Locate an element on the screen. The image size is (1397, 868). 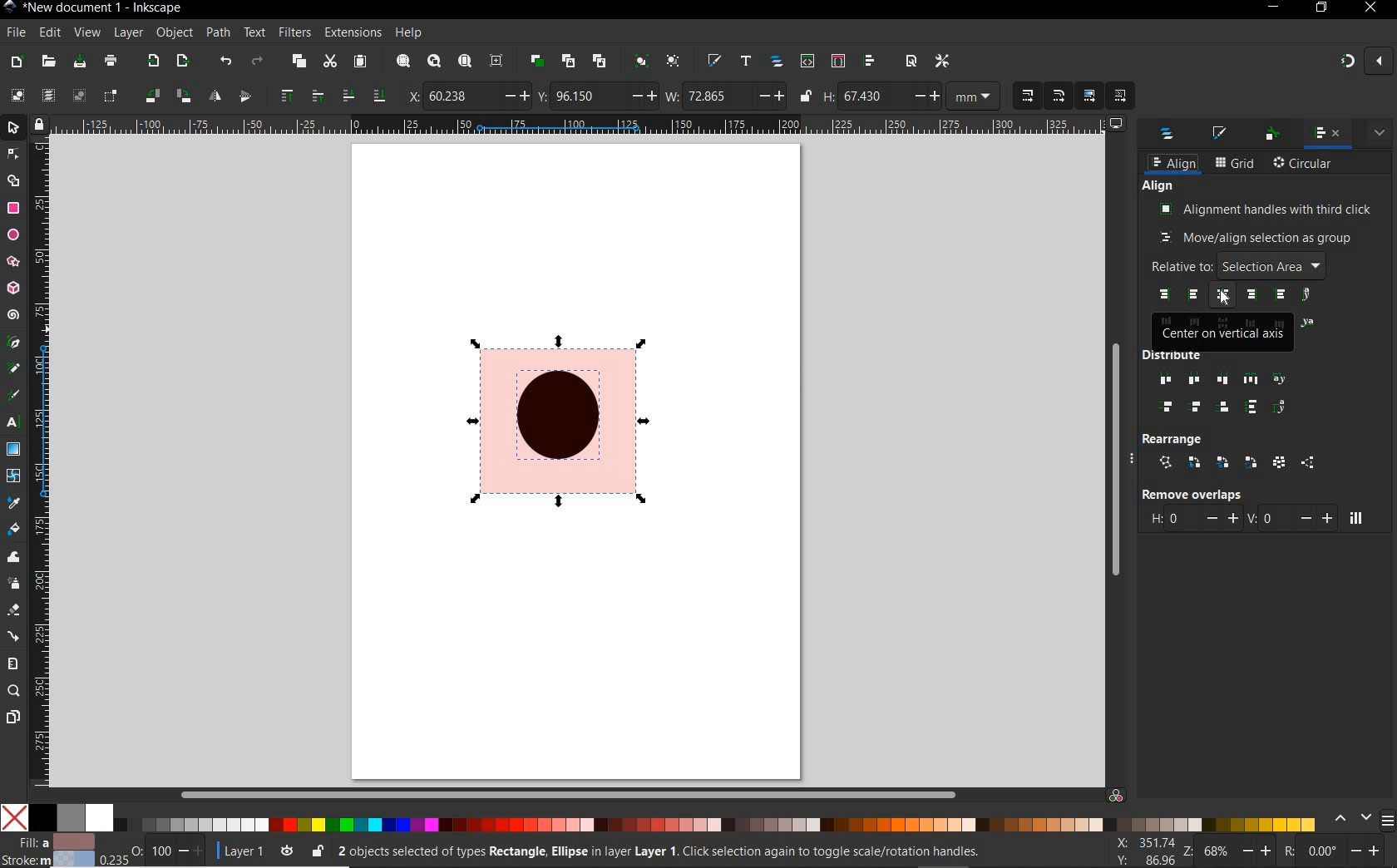
open object is located at coordinates (777, 62).